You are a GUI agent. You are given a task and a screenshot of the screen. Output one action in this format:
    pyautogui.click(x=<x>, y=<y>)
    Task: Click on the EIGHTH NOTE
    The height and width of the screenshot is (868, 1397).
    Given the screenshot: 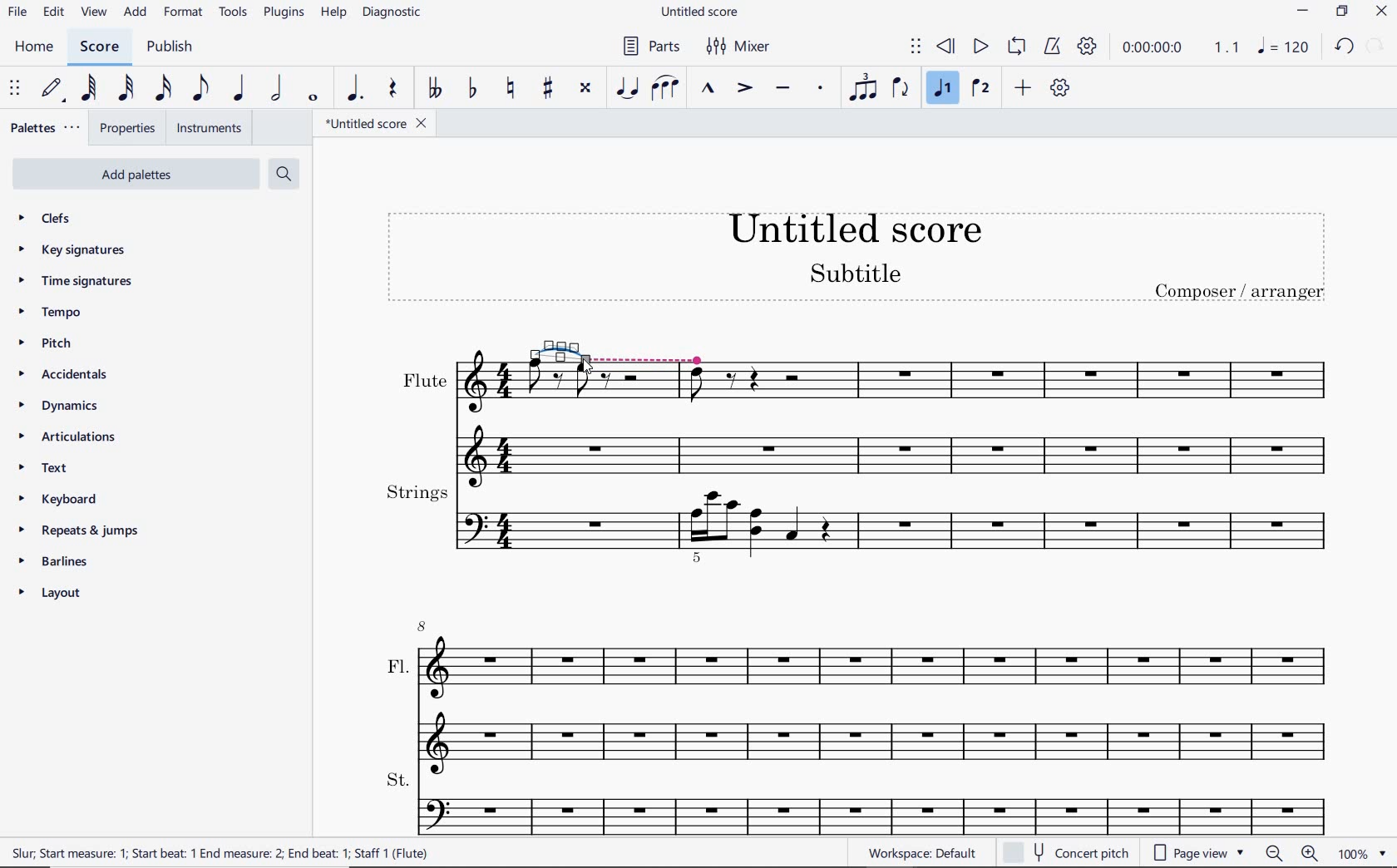 What is the action you would take?
    pyautogui.click(x=202, y=87)
    